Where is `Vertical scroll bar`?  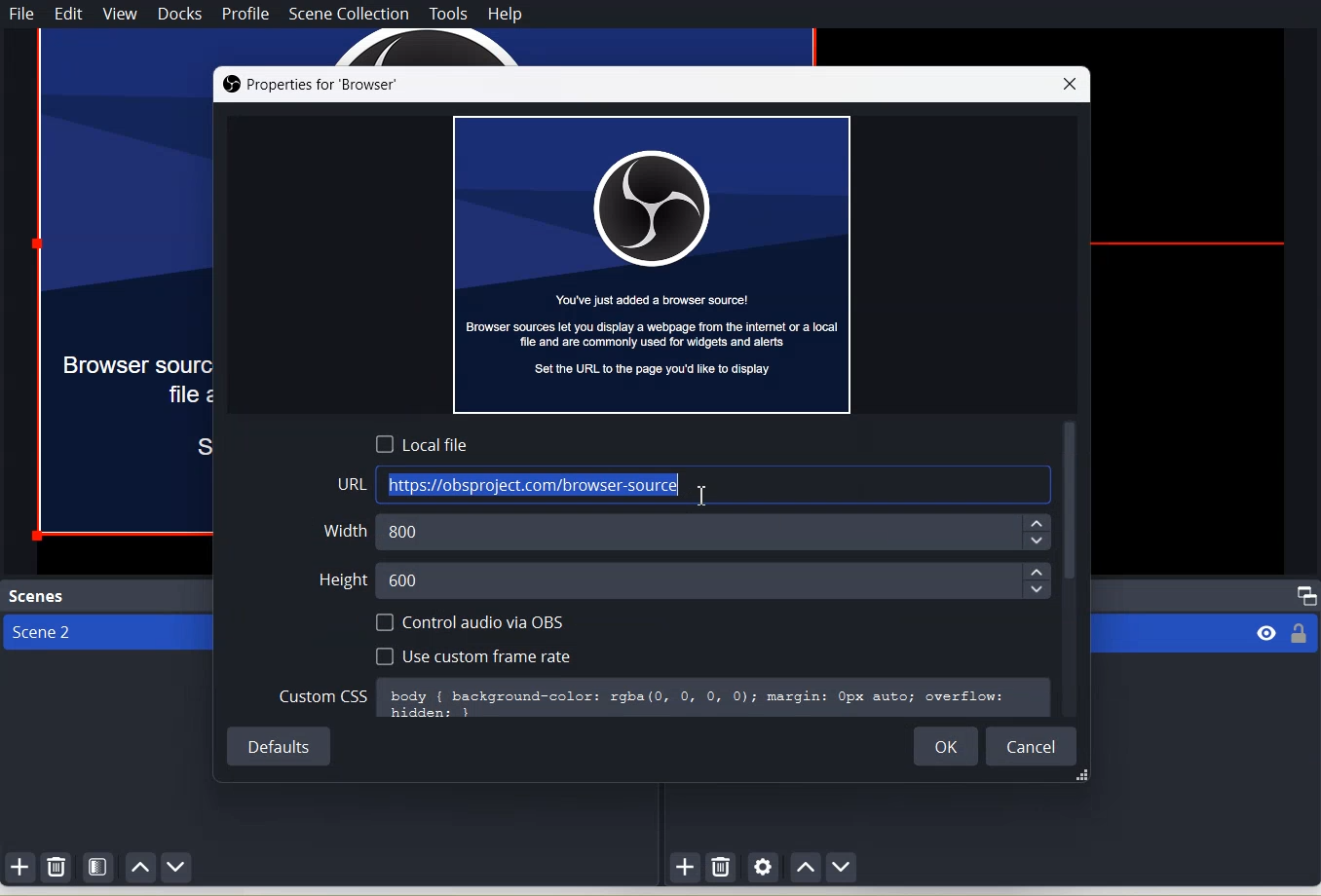
Vertical scroll bar is located at coordinates (1071, 569).